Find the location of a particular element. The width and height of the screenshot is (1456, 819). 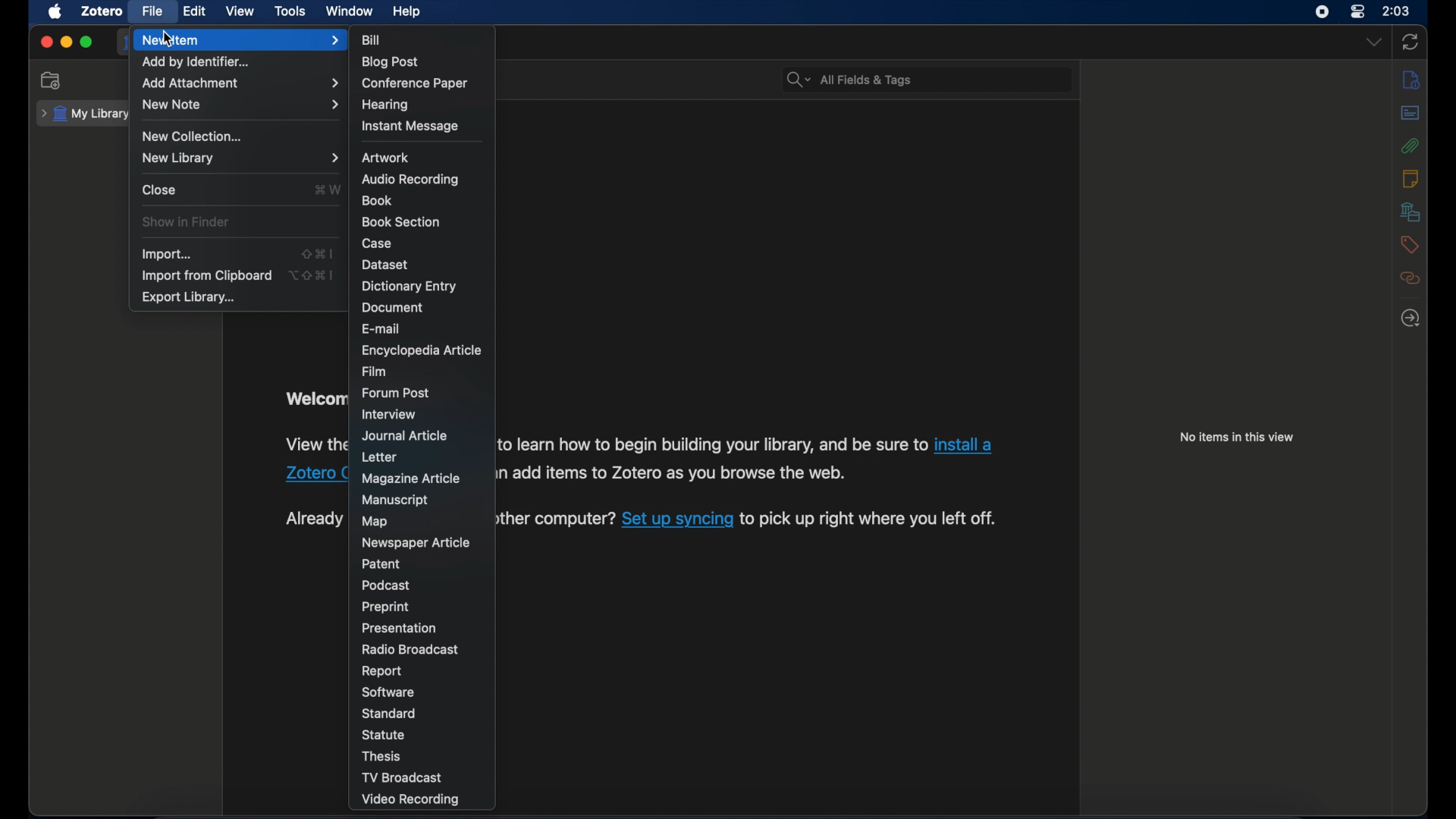

screen recorder is located at coordinates (1323, 12).